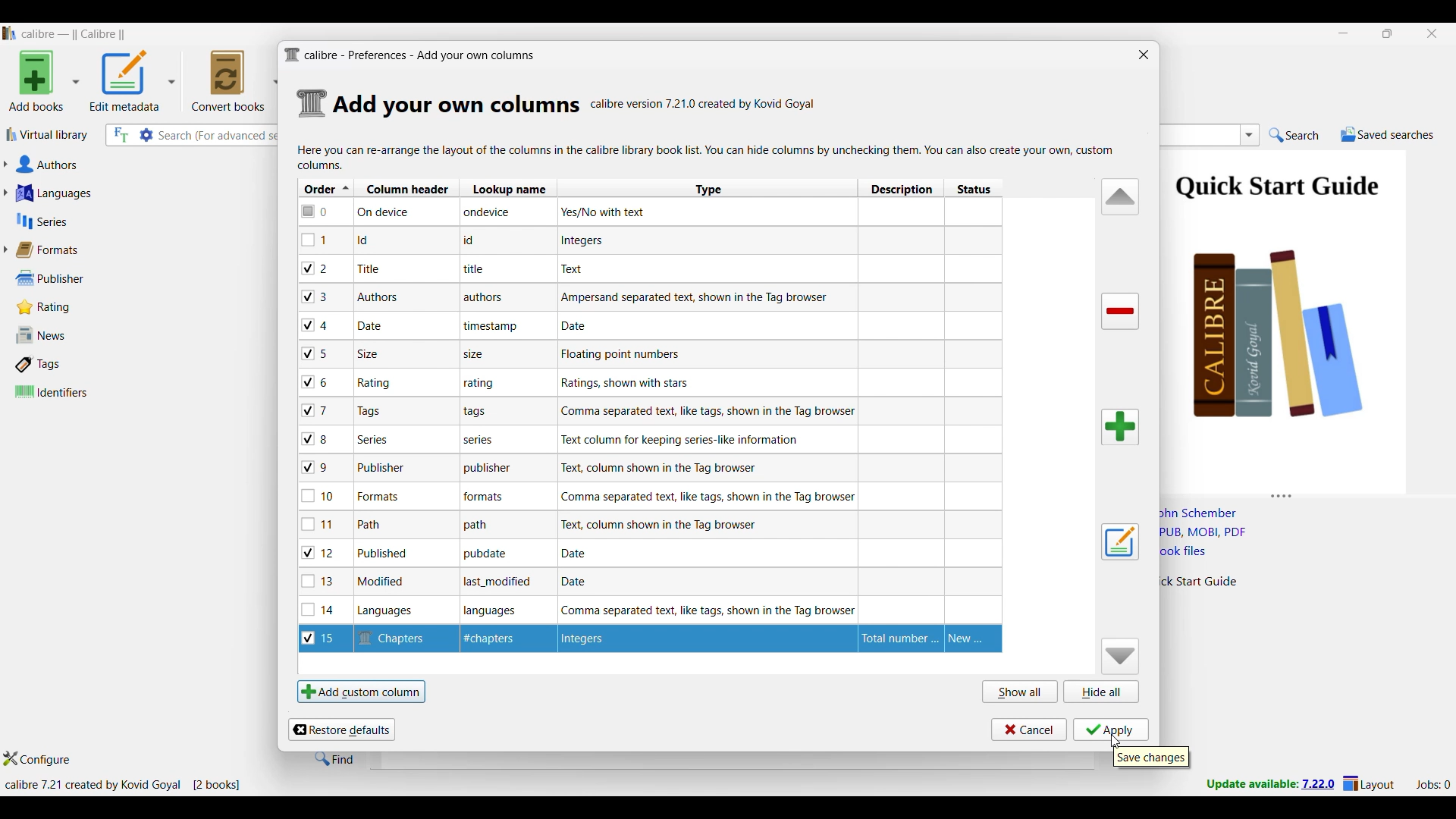 The height and width of the screenshot is (819, 1456). What do you see at coordinates (1144, 55) in the screenshot?
I see `Close window` at bounding box center [1144, 55].